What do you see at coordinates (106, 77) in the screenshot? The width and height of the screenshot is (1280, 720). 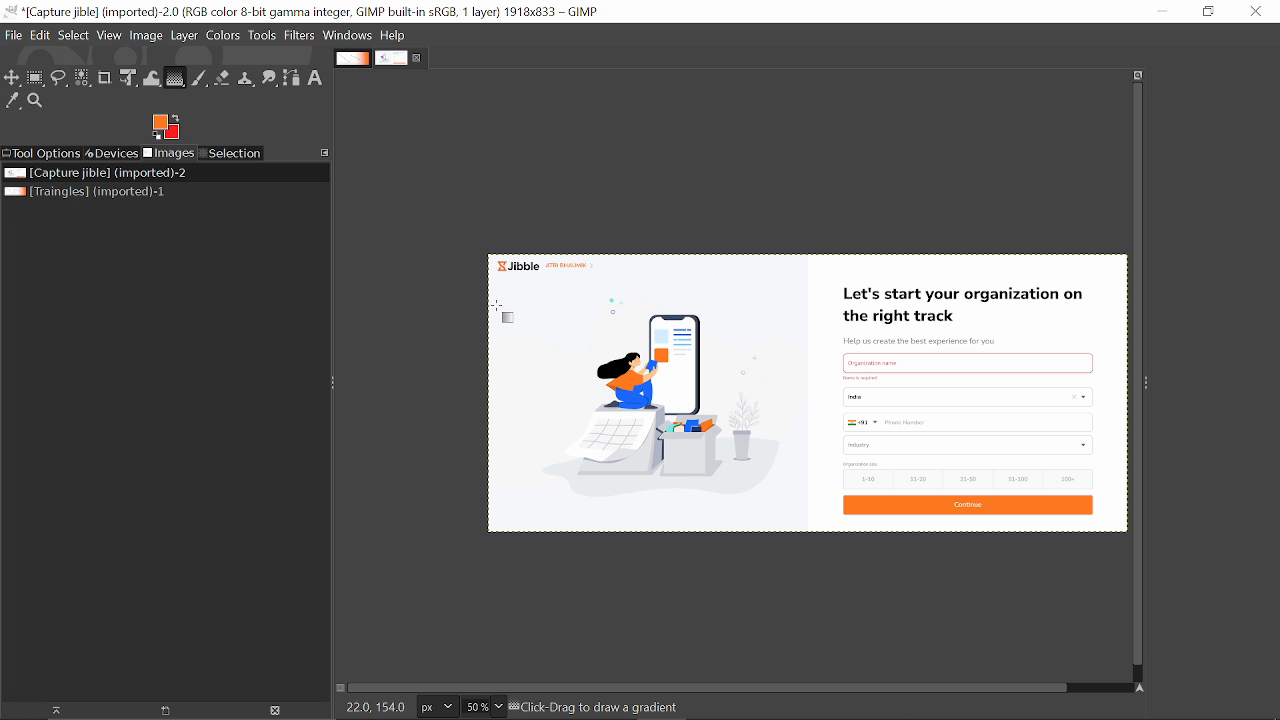 I see `Crop tool` at bounding box center [106, 77].